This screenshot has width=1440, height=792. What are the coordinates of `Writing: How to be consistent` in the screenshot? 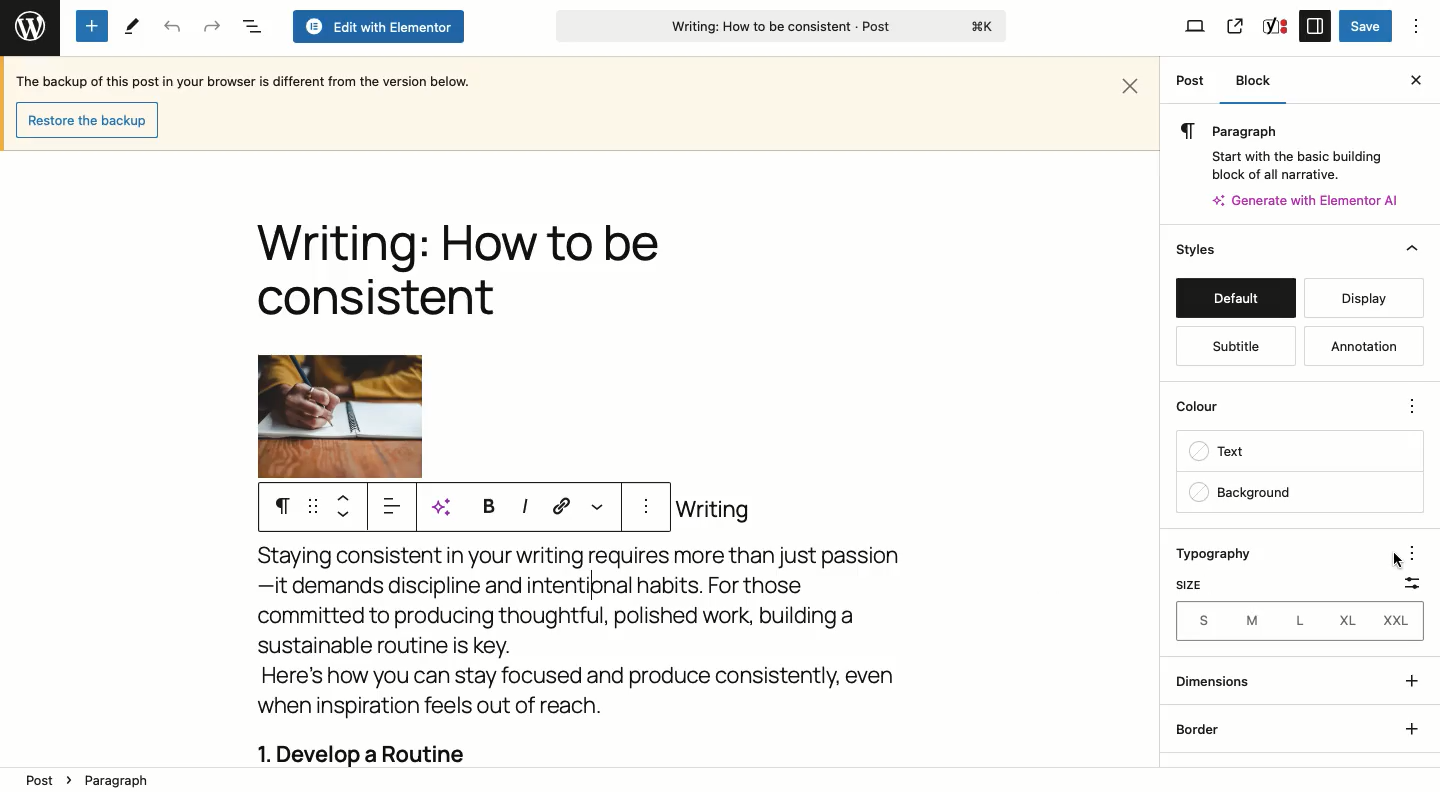 It's located at (779, 29).